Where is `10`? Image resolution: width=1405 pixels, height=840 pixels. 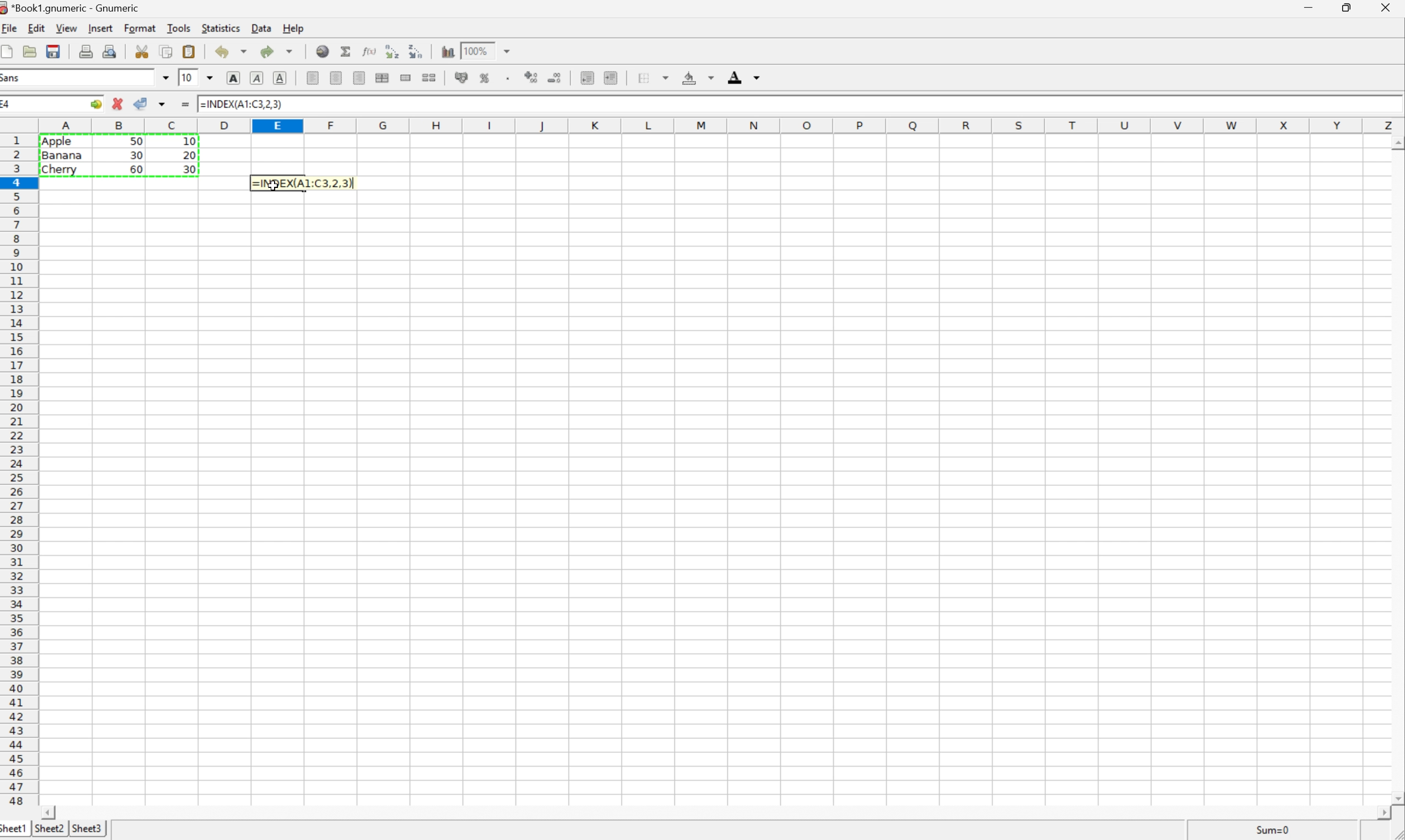 10 is located at coordinates (185, 77).